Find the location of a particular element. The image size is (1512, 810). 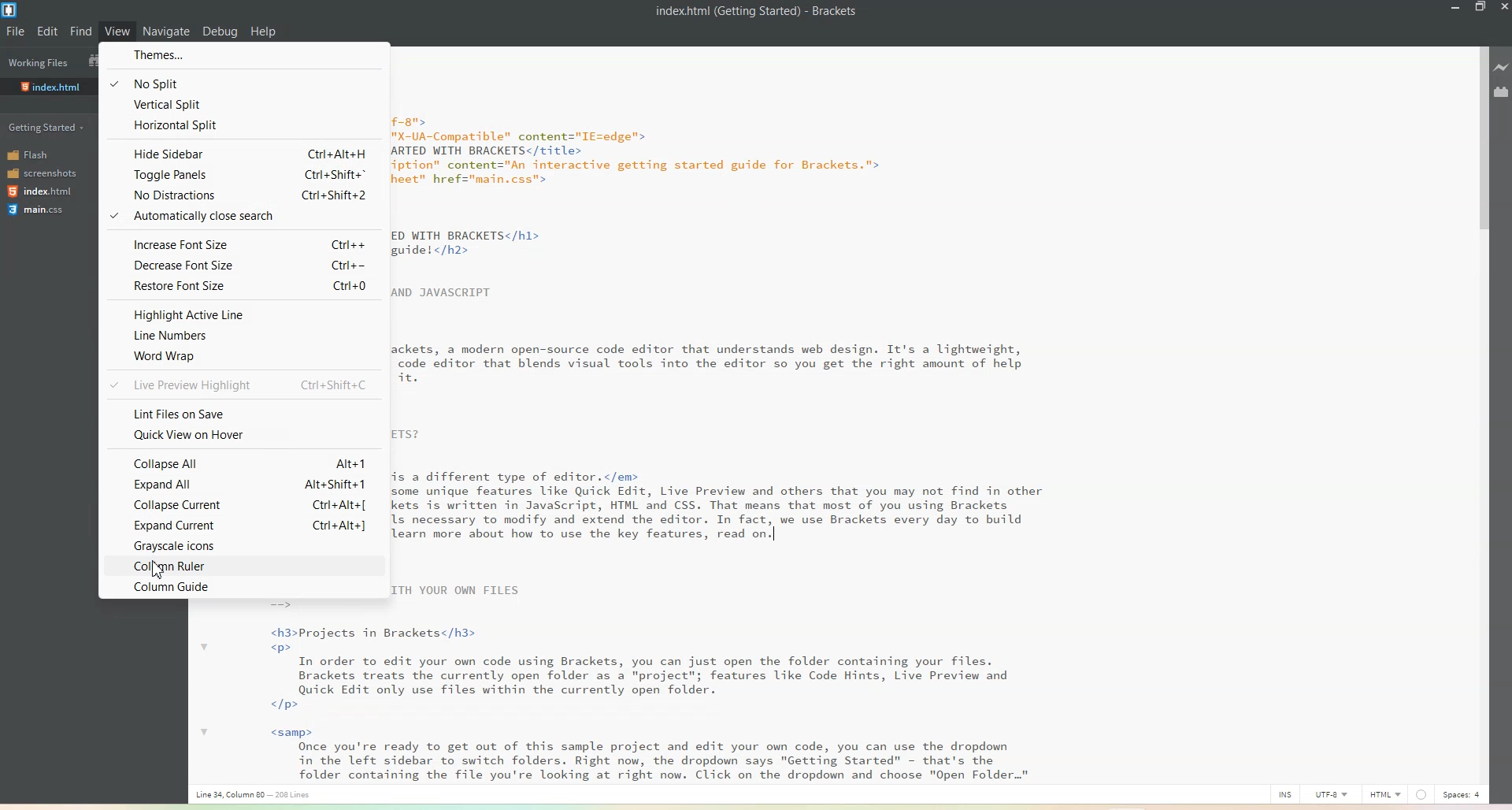

Show in the file tree is located at coordinates (90, 59).